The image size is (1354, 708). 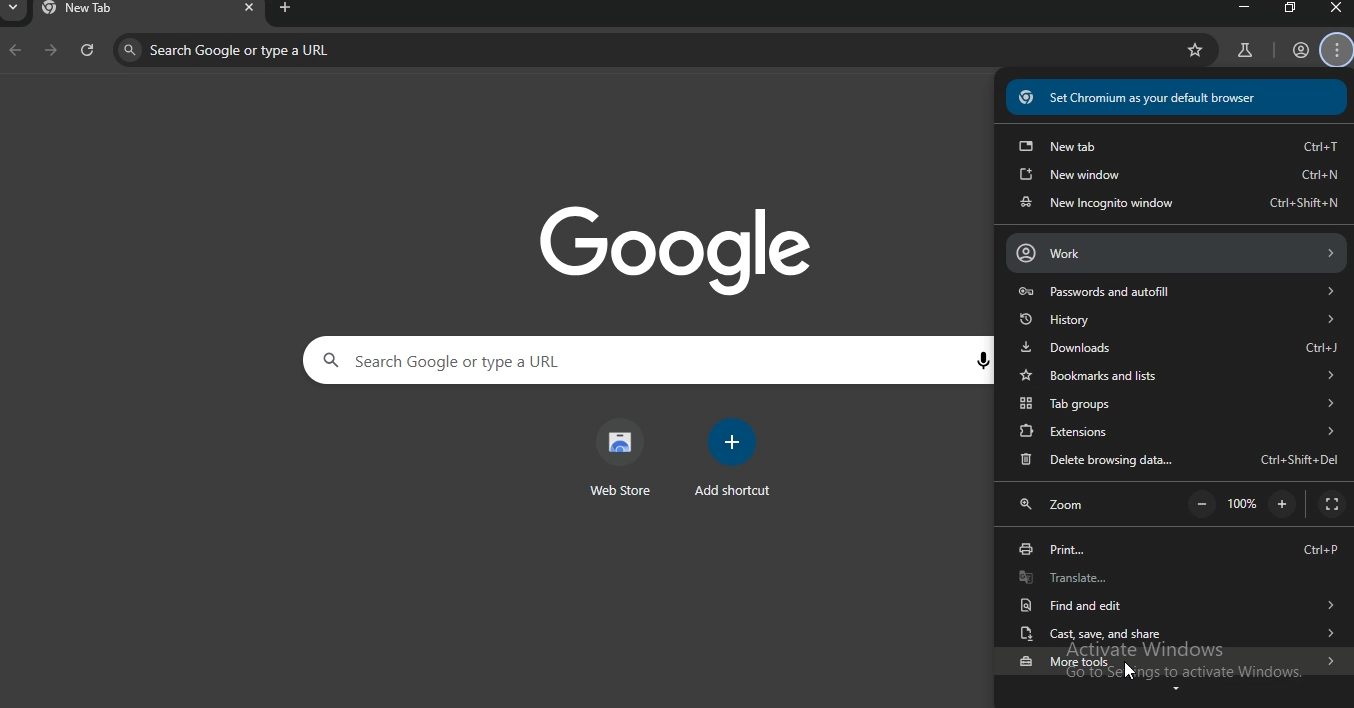 I want to click on more tools, so click(x=1179, y=665).